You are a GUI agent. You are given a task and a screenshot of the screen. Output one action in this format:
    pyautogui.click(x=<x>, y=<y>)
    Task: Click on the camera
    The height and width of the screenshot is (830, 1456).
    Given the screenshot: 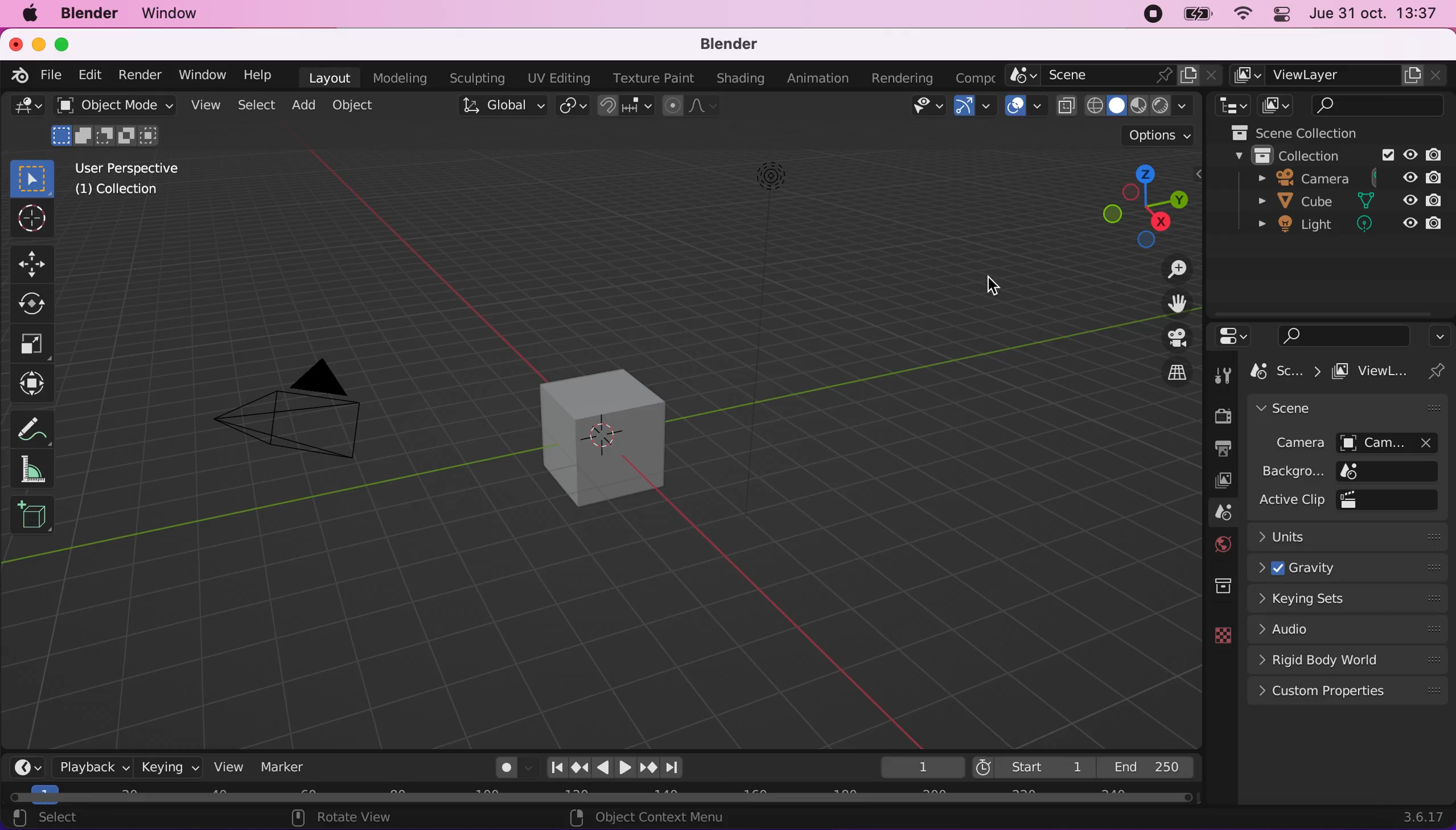 What is the action you would take?
    pyautogui.click(x=1349, y=442)
    